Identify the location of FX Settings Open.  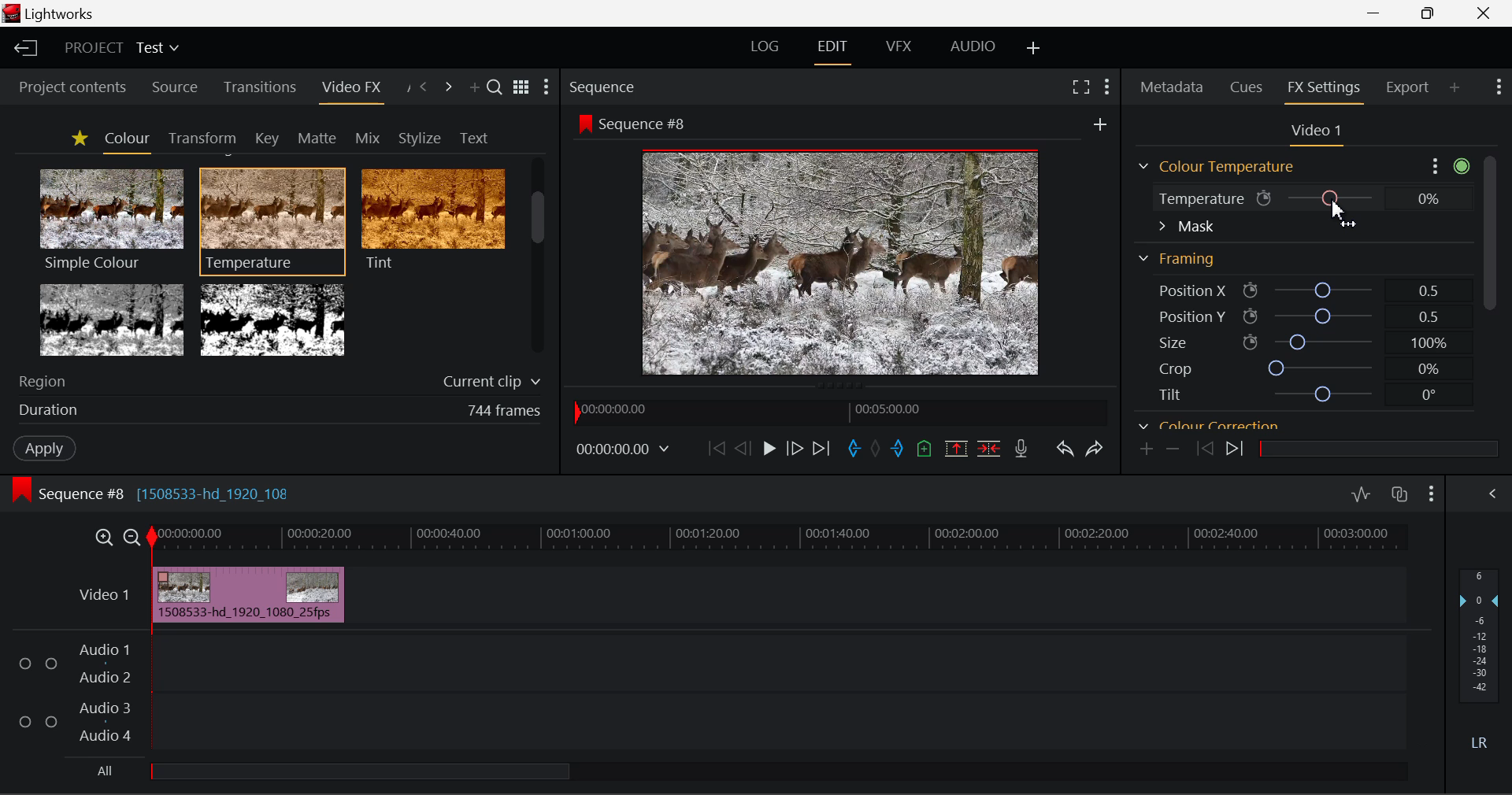
(1325, 89).